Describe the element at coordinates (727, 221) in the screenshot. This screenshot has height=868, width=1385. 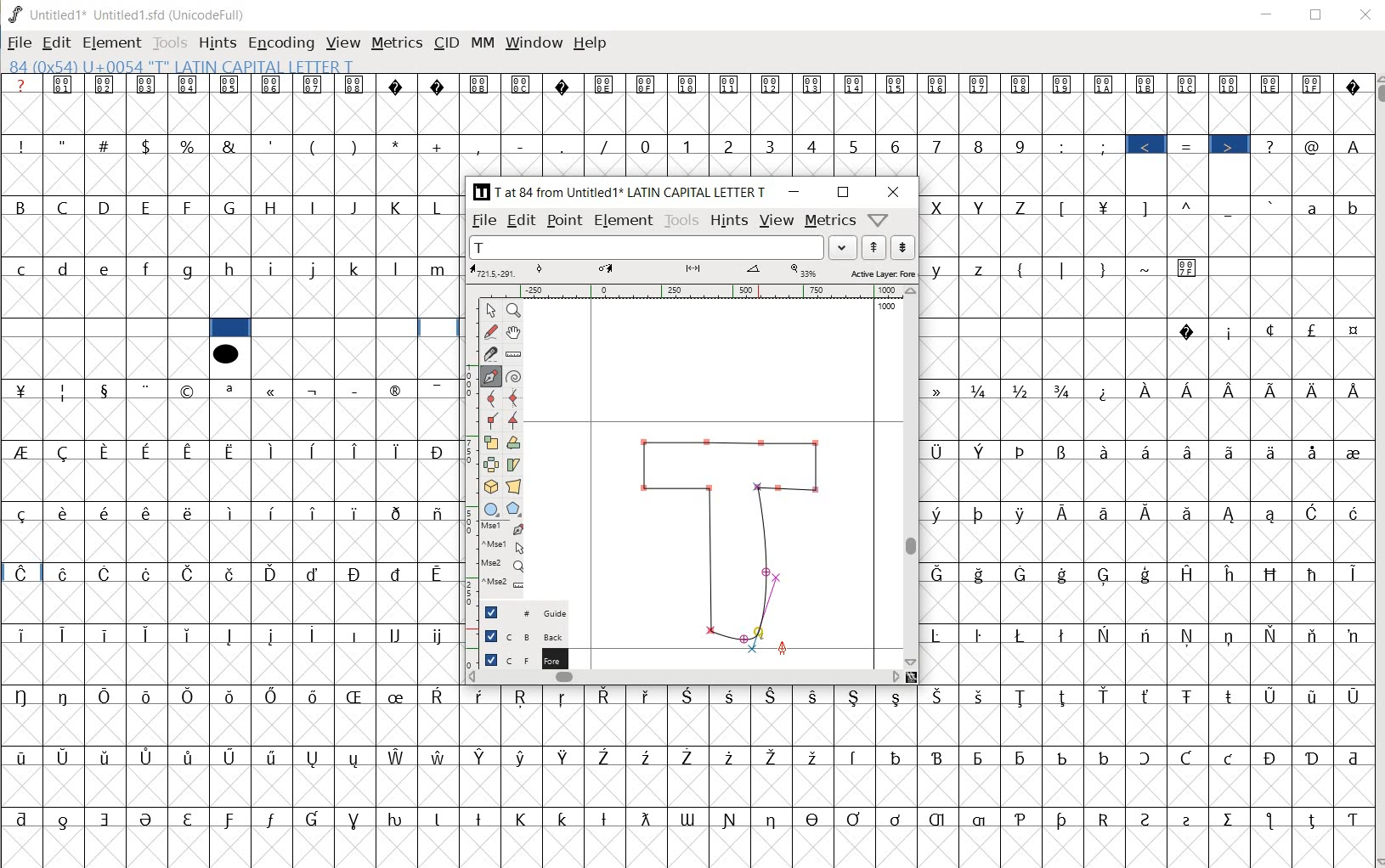
I see `hints` at that location.